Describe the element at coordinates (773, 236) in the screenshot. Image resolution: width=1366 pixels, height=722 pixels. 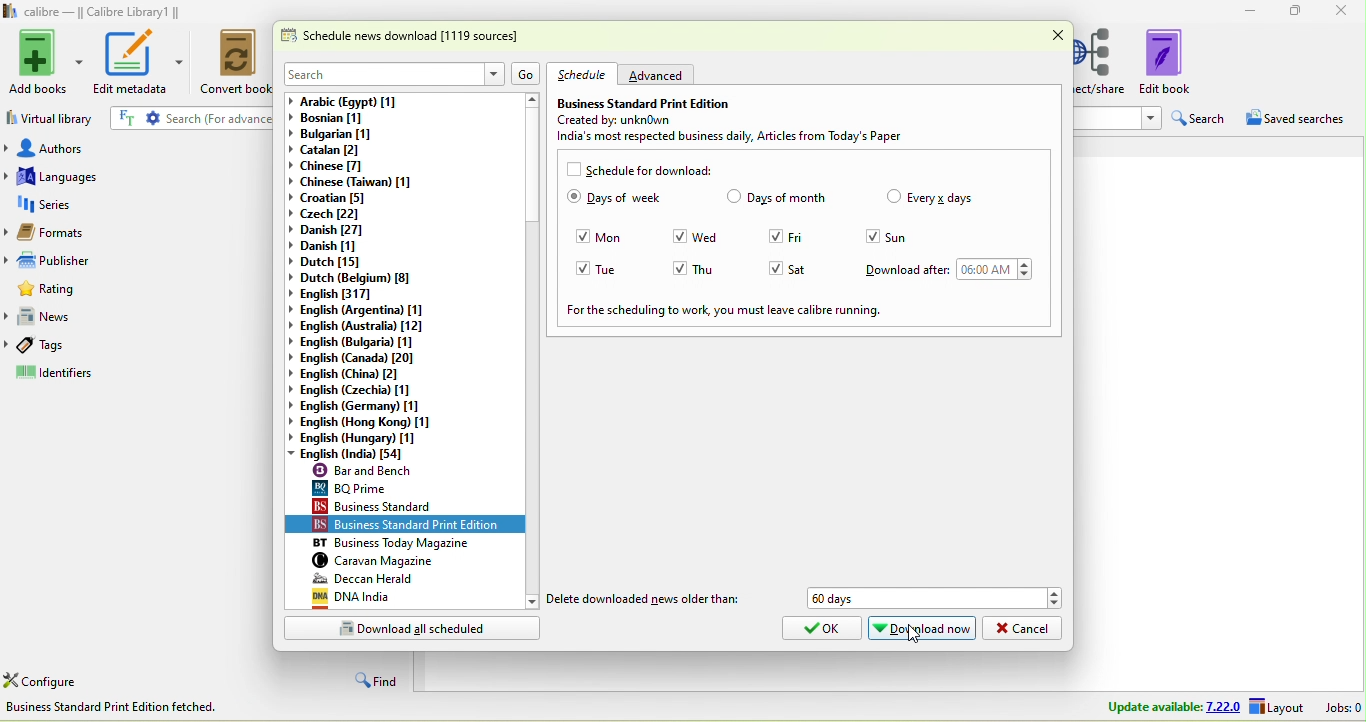
I see `Checkbox` at that location.